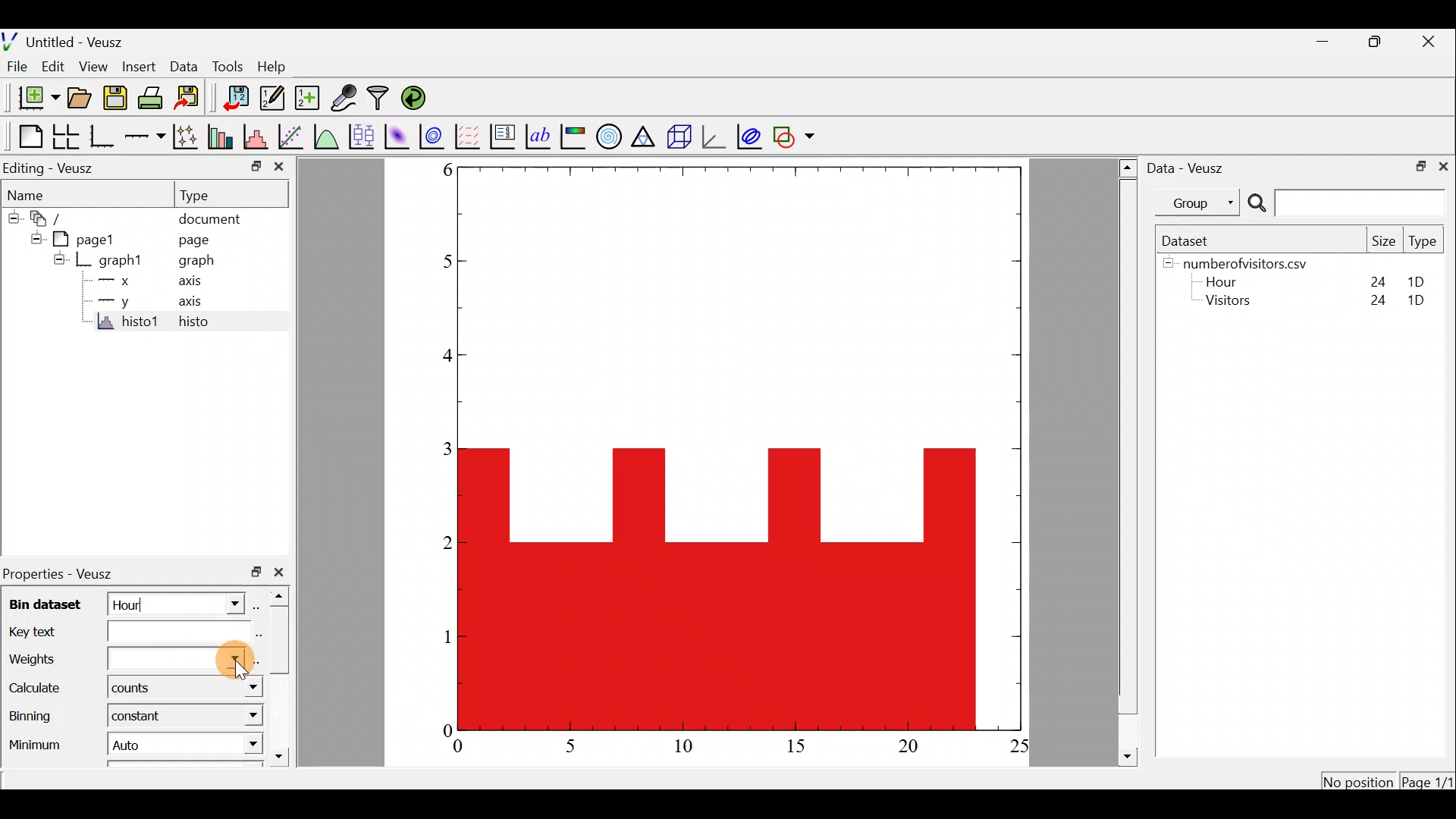 The image size is (1456, 819). What do you see at coordinates (1443, 168) in the screenshot?
I see `close` at bounding box center [1443, 168].